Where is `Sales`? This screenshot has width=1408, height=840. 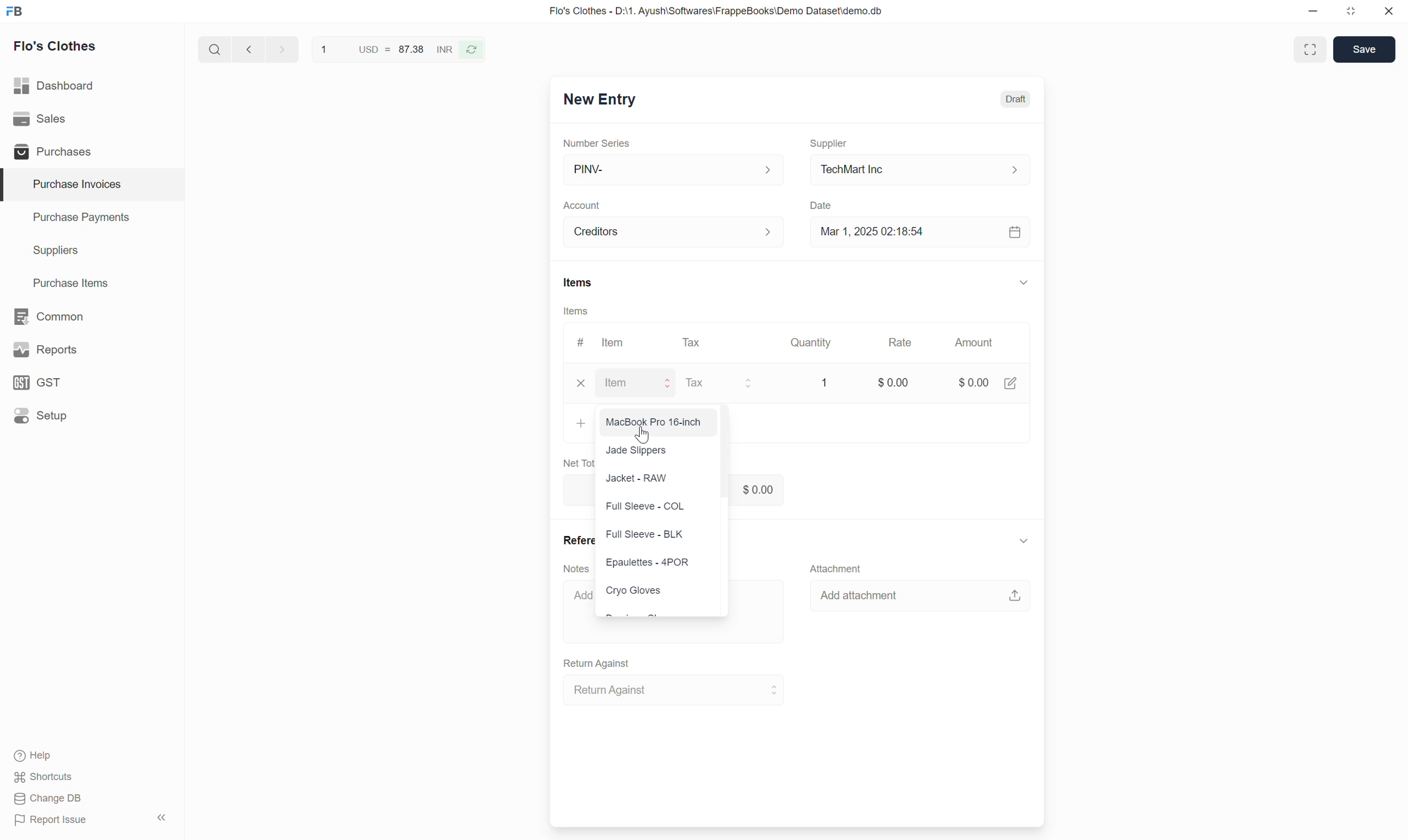 Sales is located at coordinates (92, 119).